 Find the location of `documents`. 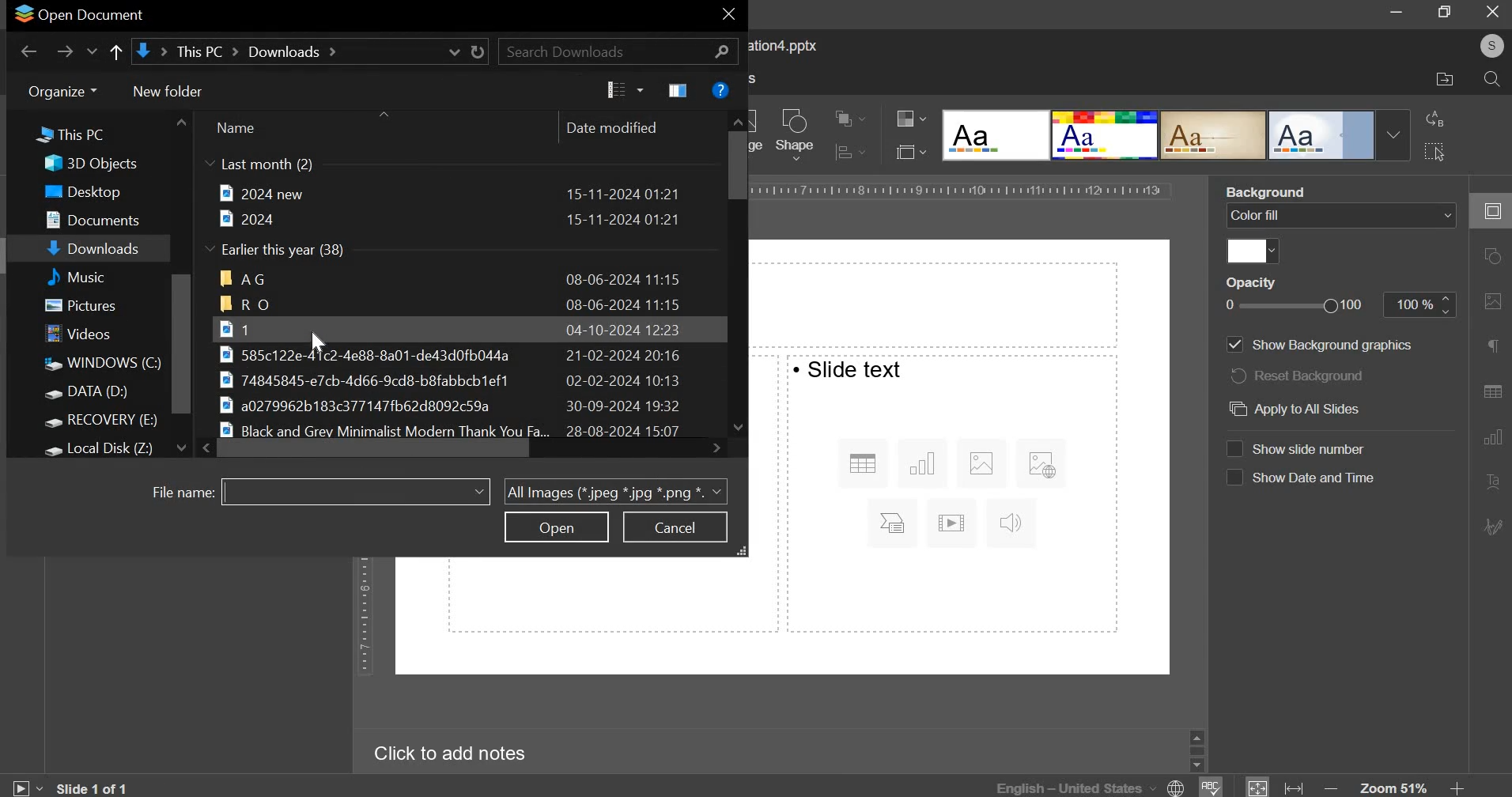

documents is located at coordinates (100, 217).